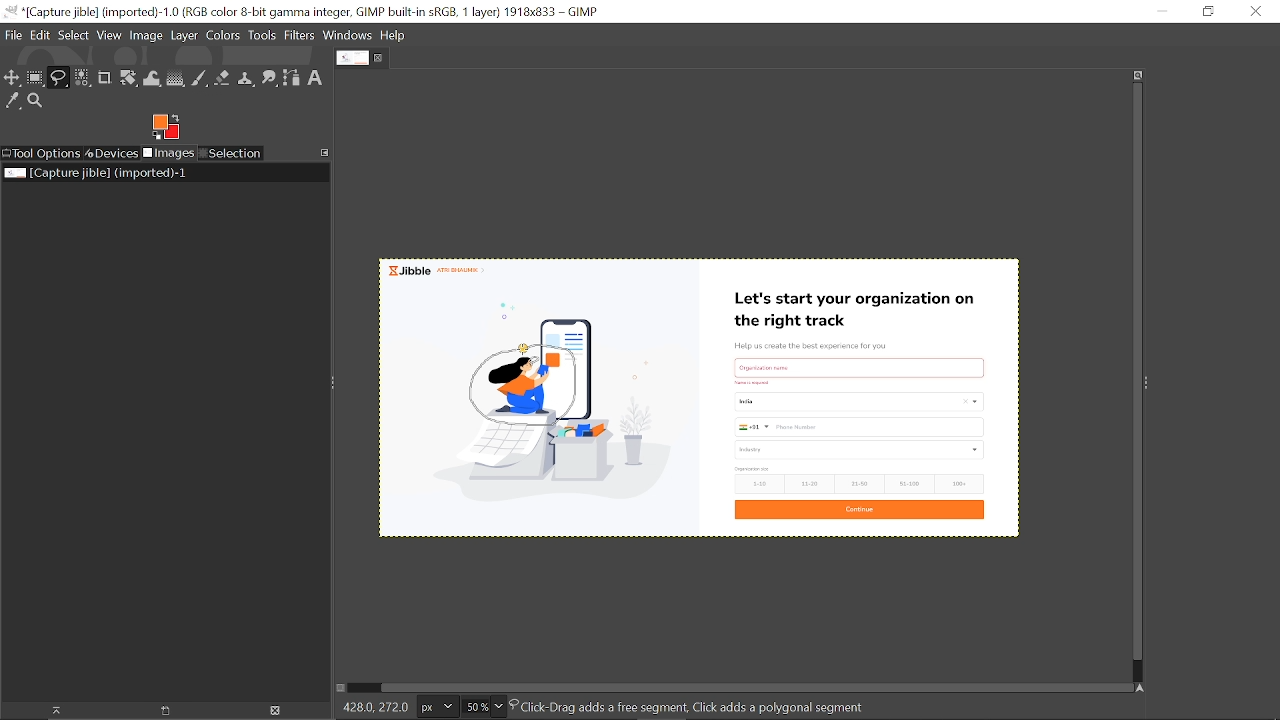 Image resolution: width=1280 pixels, height=720 pixels. What do you see at coordinates (41, 154) in the screenshot?
I see `Tool options` at bounding box center [41, 154].